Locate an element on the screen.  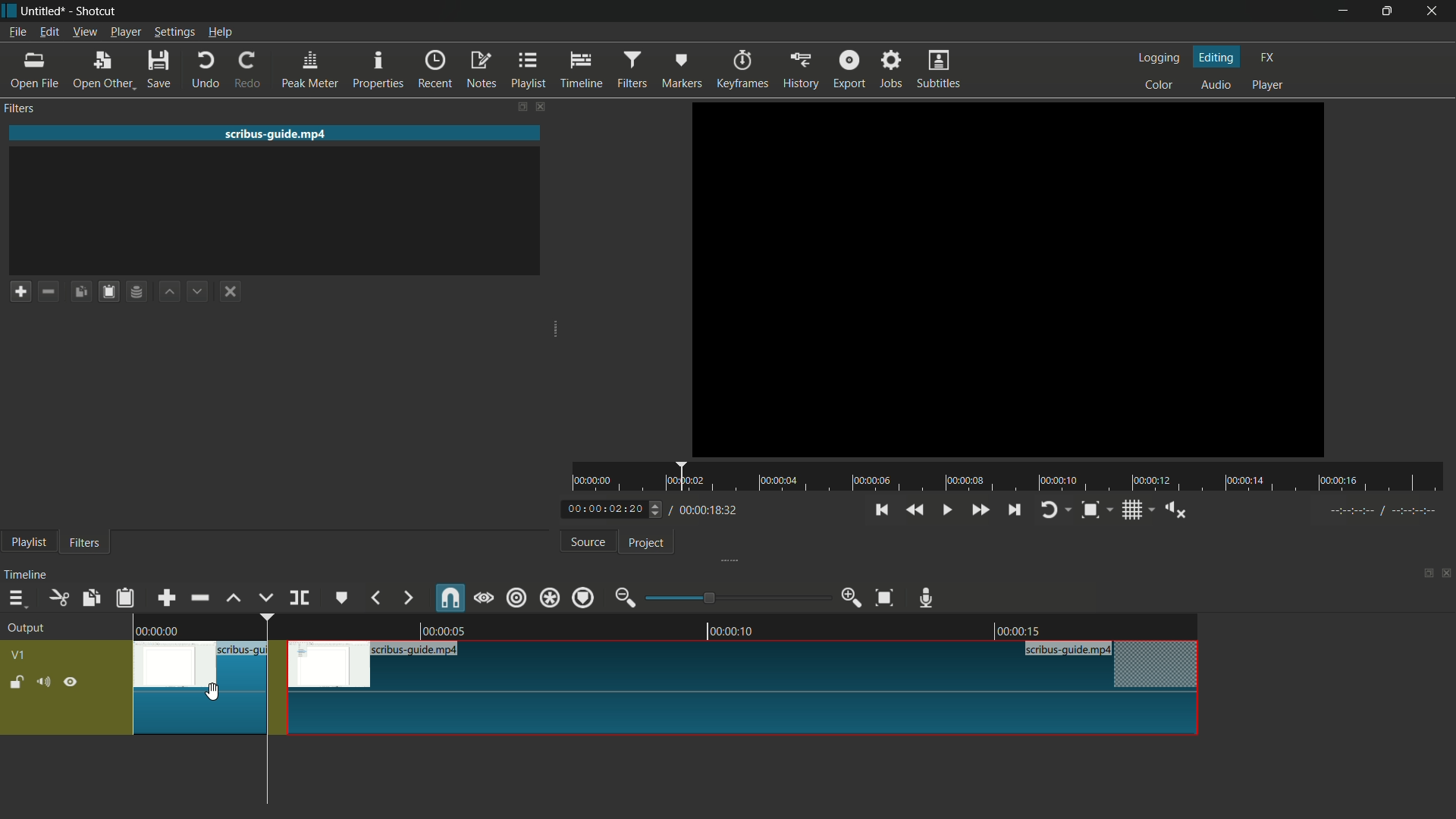
copy is located at coordinates (90, 599).